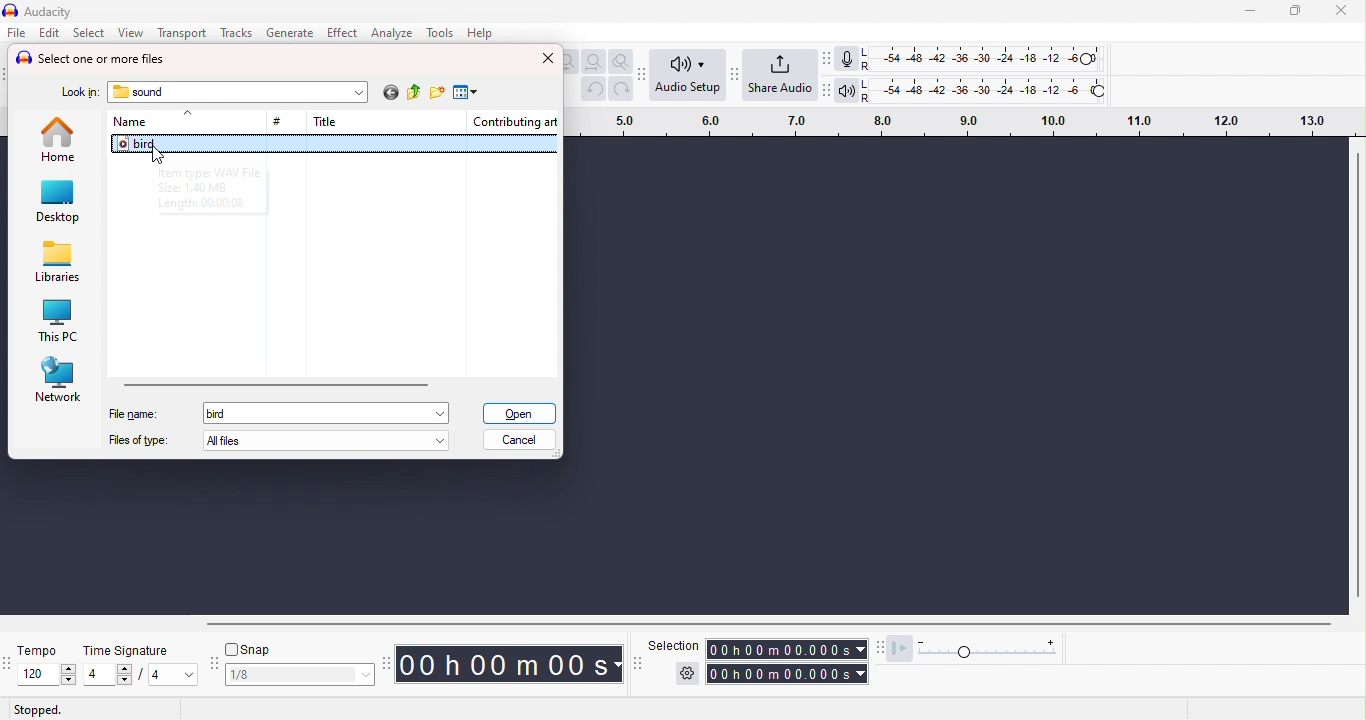 The width and height of the screenshot is (1366, 720). What do you see at coordinates (251, 651) in the screenshot?
I see `snap` at bounding box center [251, 651].